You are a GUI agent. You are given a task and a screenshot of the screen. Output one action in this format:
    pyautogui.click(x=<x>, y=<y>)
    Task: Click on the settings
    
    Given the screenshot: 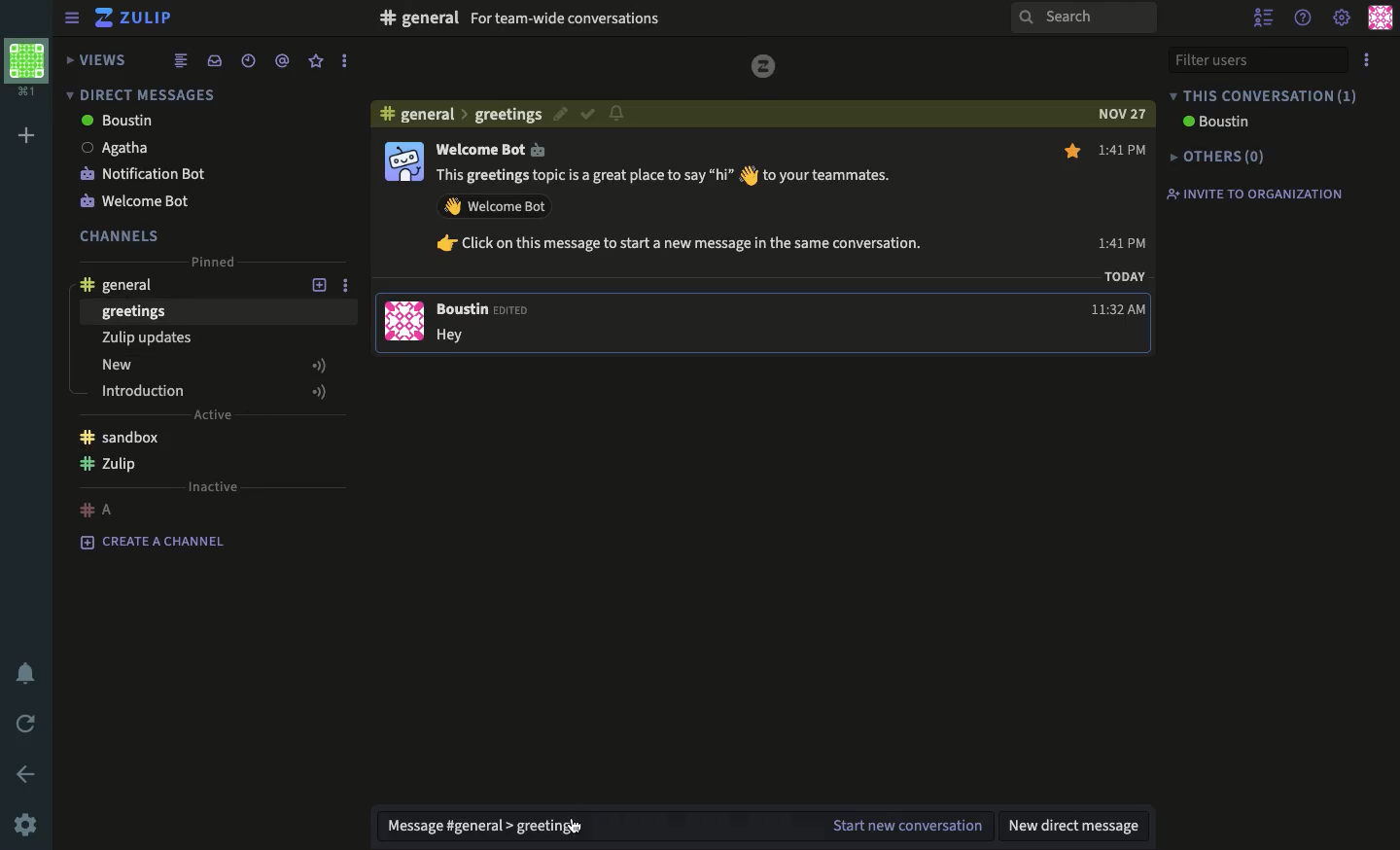 What is the action you would take?
    pyautogui.click(x=24, y=827)
    